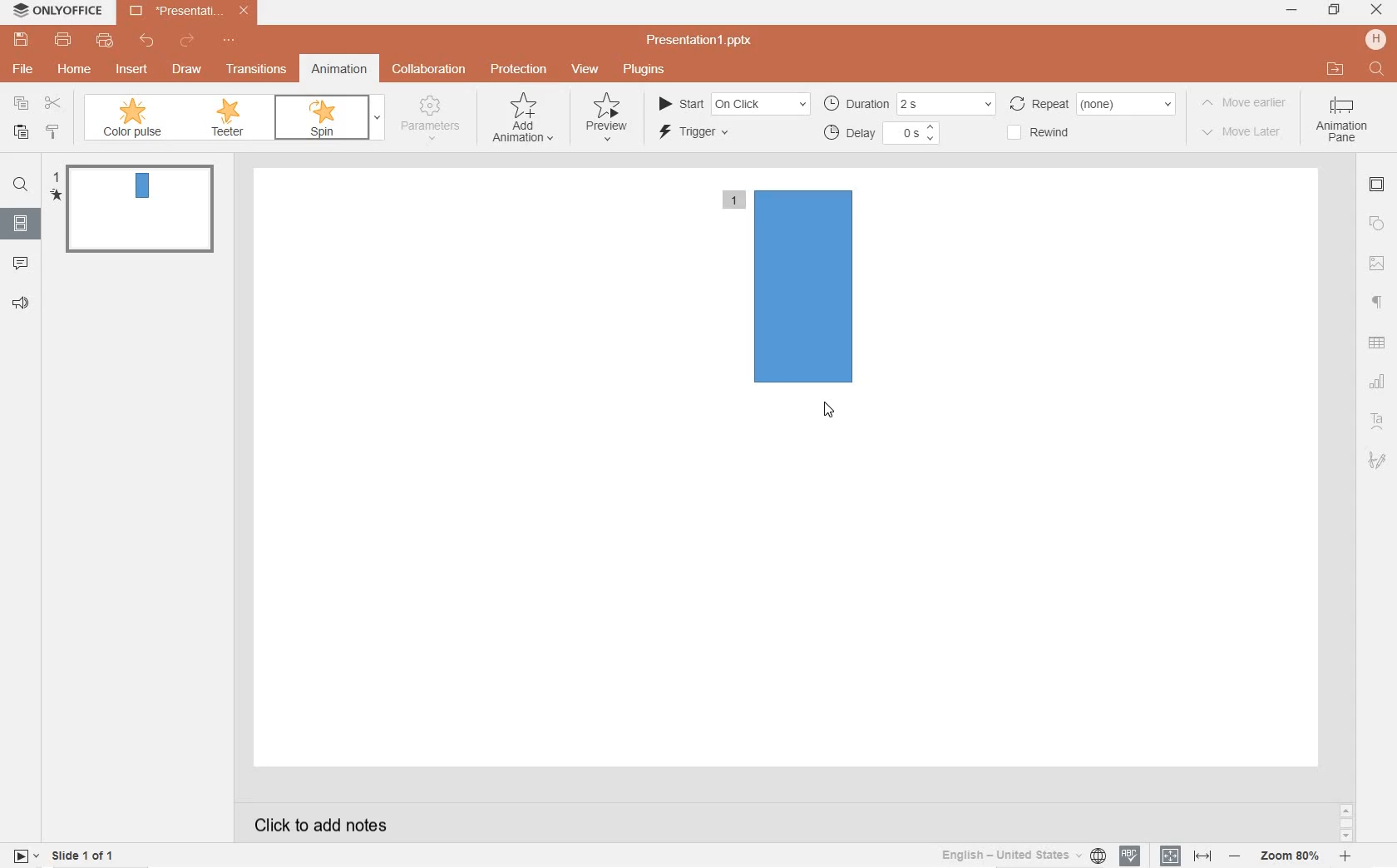 This screenshot has width=1397, height=868. What do you see at coordinates (104, 42) in the screenshot?
I see `quick print` at bounding box center [104, 42].